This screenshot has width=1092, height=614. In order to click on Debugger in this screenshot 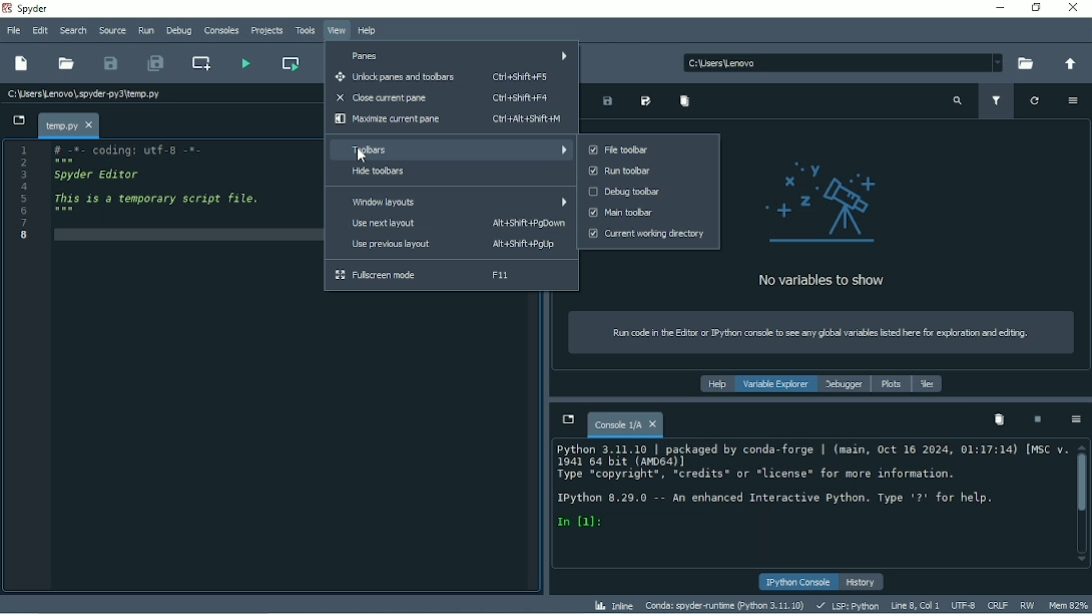, I will do `click(844, 385)`.